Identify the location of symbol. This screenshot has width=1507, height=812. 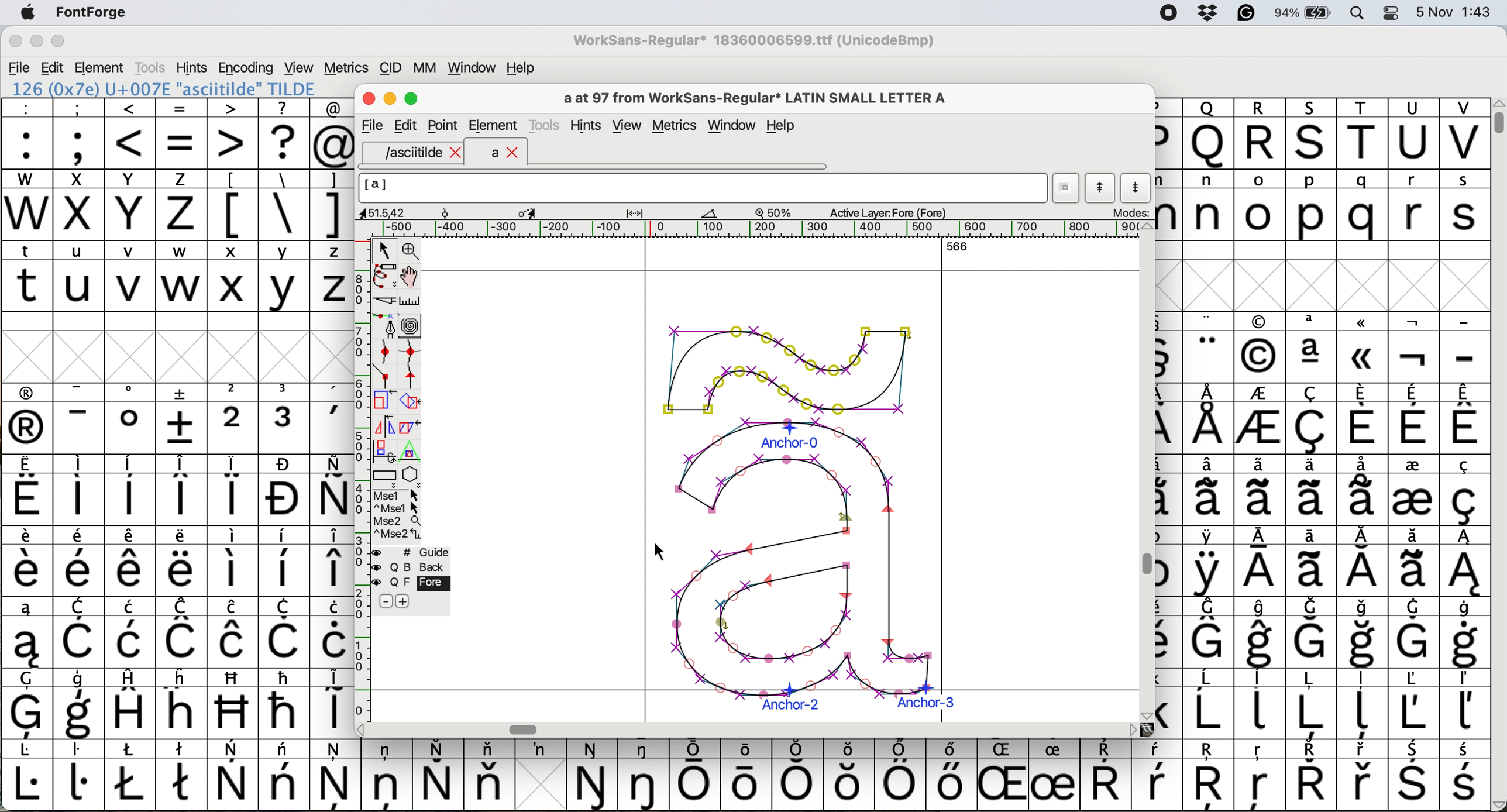
(80, 419).